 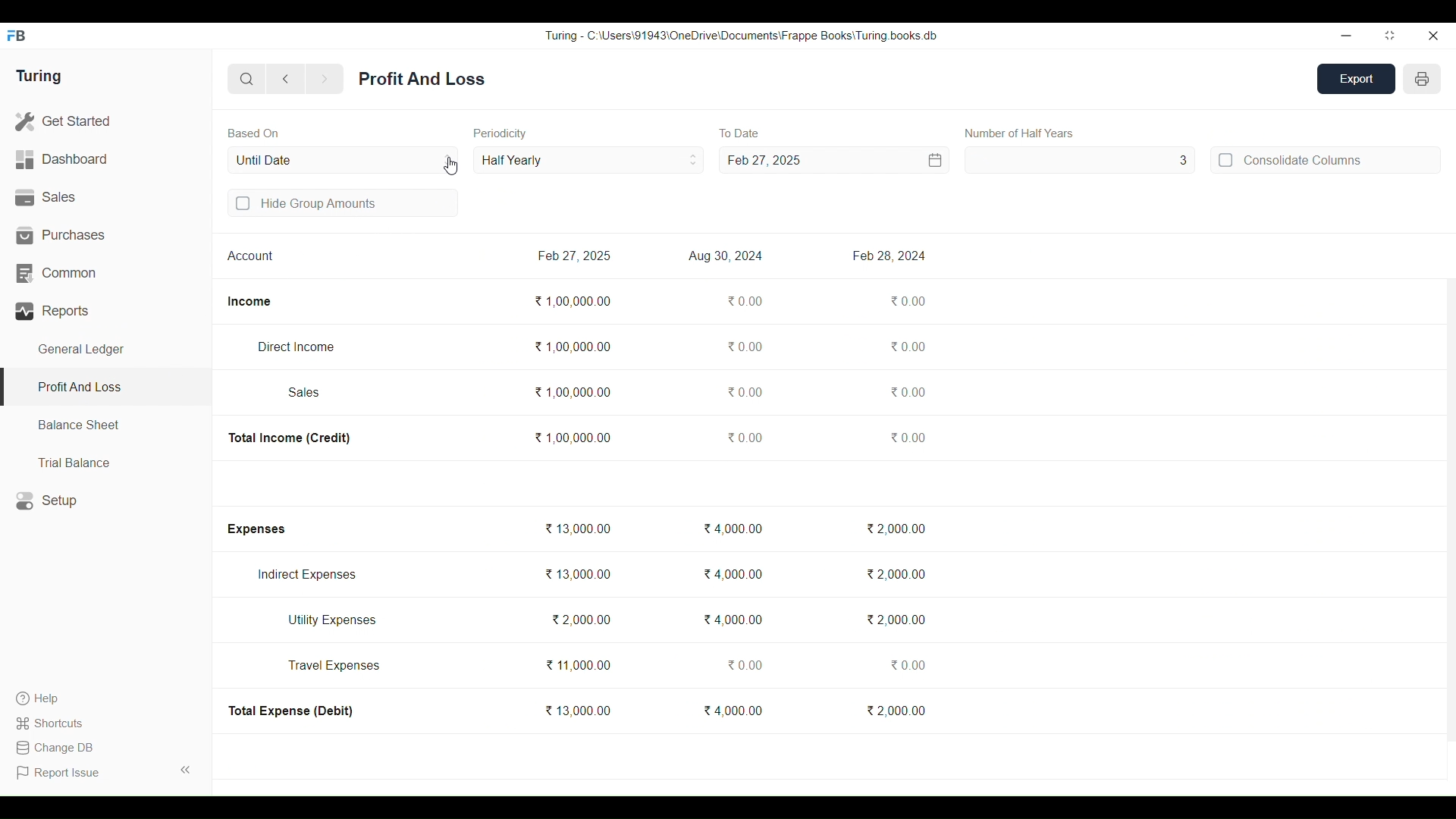 What do you see at coordinates (16, 36) in the screenshot?
I see `Frappe Books logo` at bounding box center [16, 36].